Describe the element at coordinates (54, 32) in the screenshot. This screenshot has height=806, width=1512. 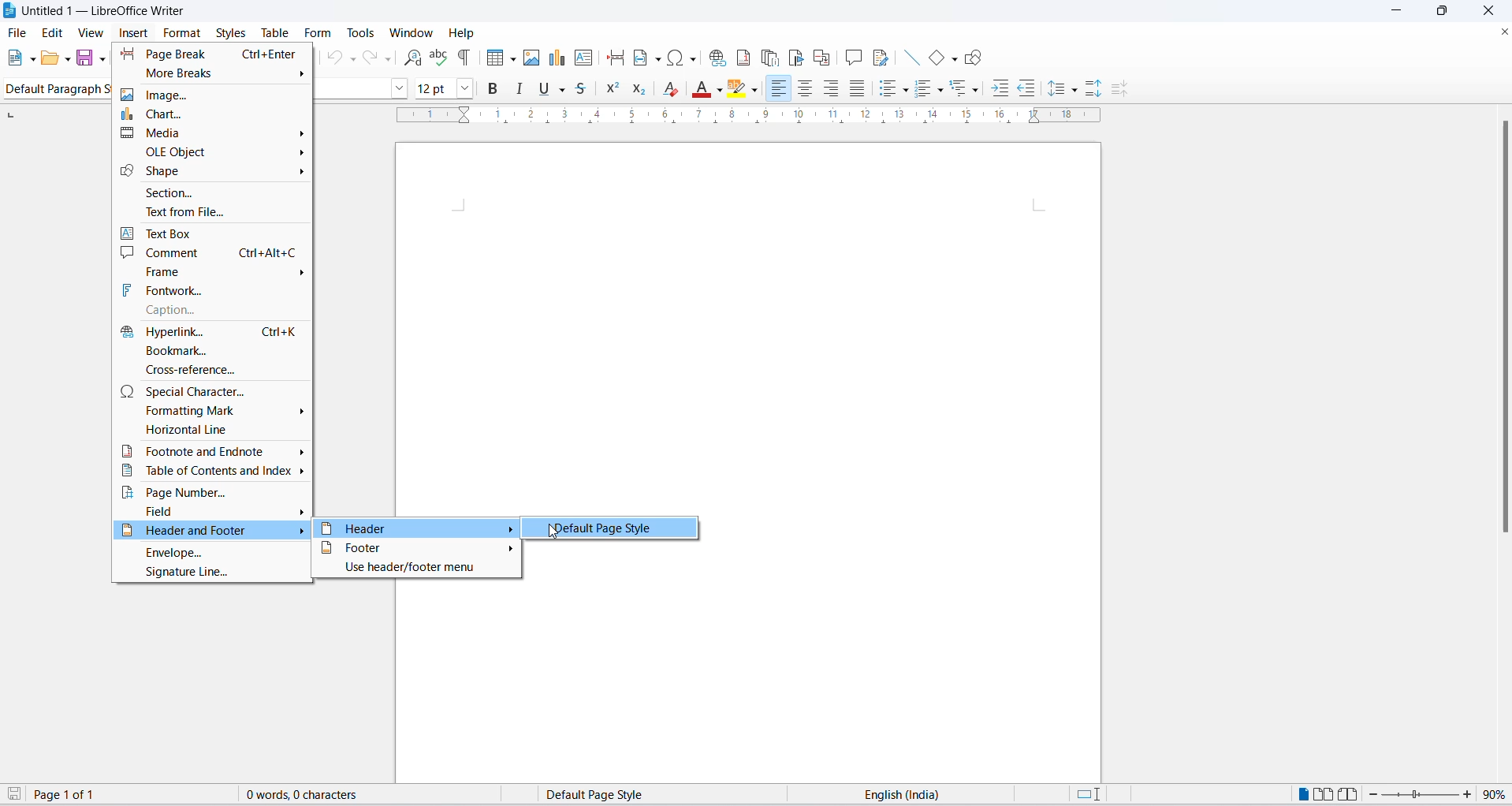
I see `edit` at that location.